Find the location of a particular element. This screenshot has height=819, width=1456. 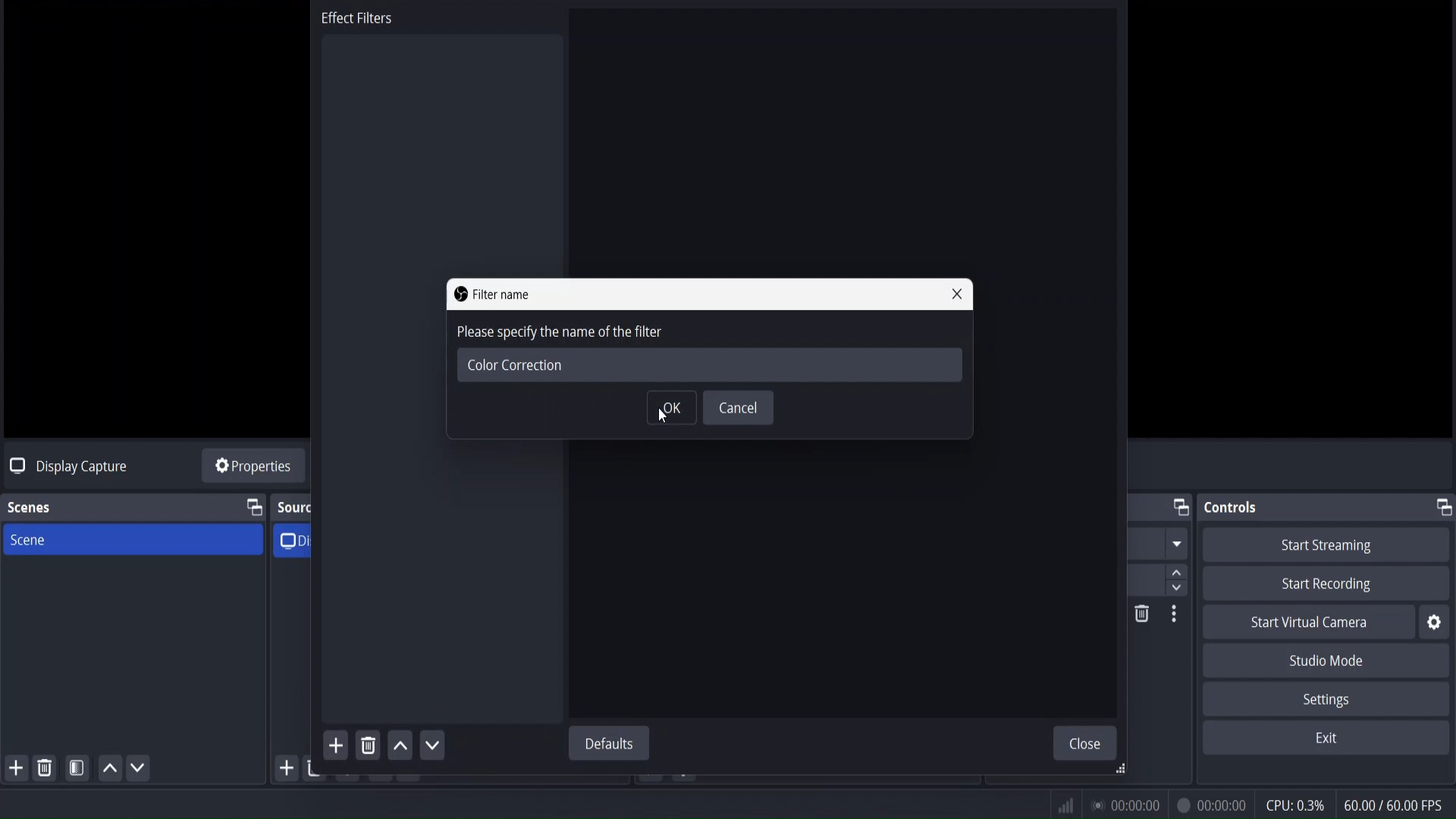

DELETE is located at coordinates (1139, 616).